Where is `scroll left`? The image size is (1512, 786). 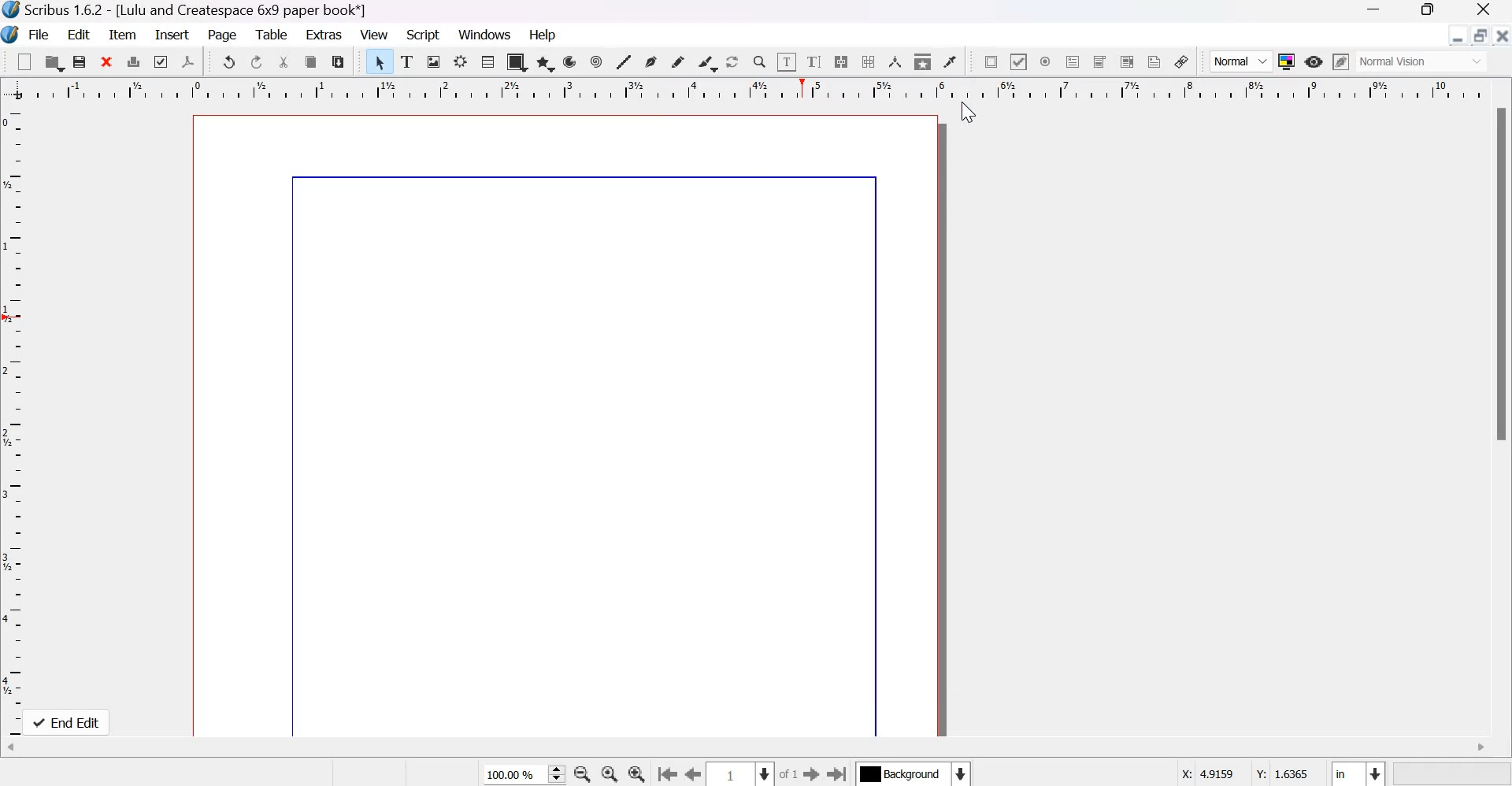 scroll left is located at coordinates (13, 748).